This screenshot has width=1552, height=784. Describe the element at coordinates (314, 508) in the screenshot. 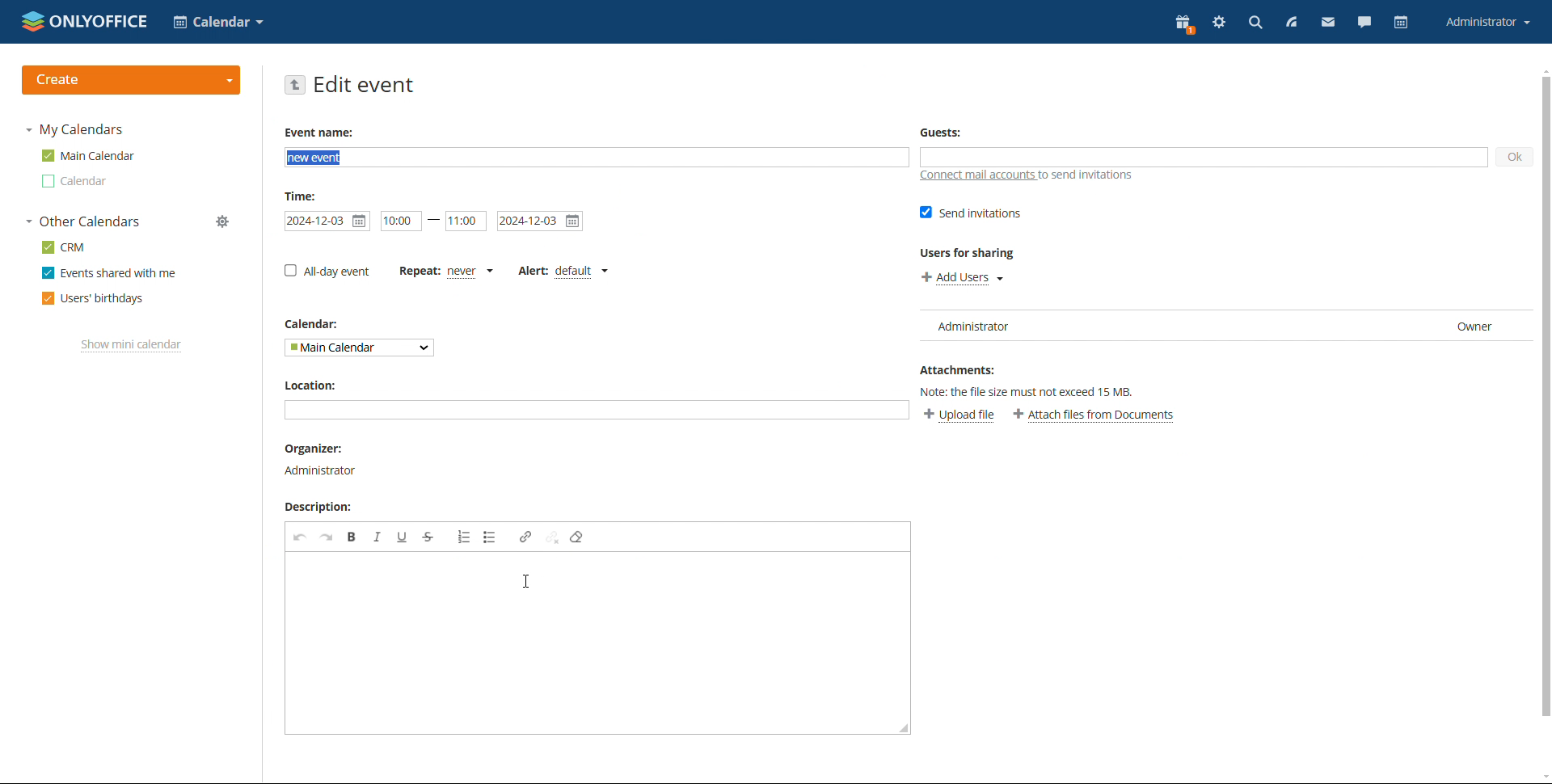

I see `Description:` at that location.